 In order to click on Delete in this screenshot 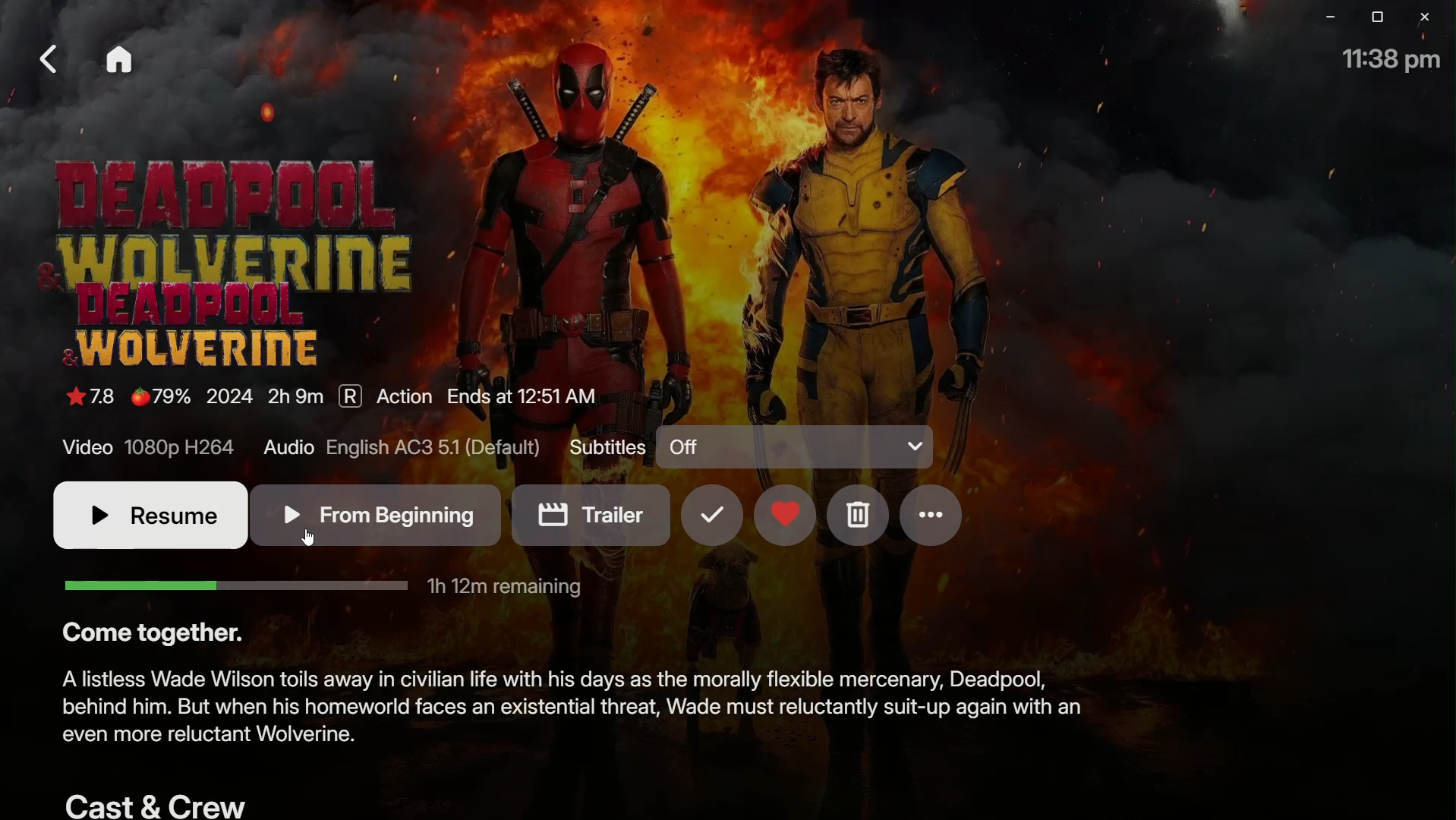, I will do `click(856, 513)`.